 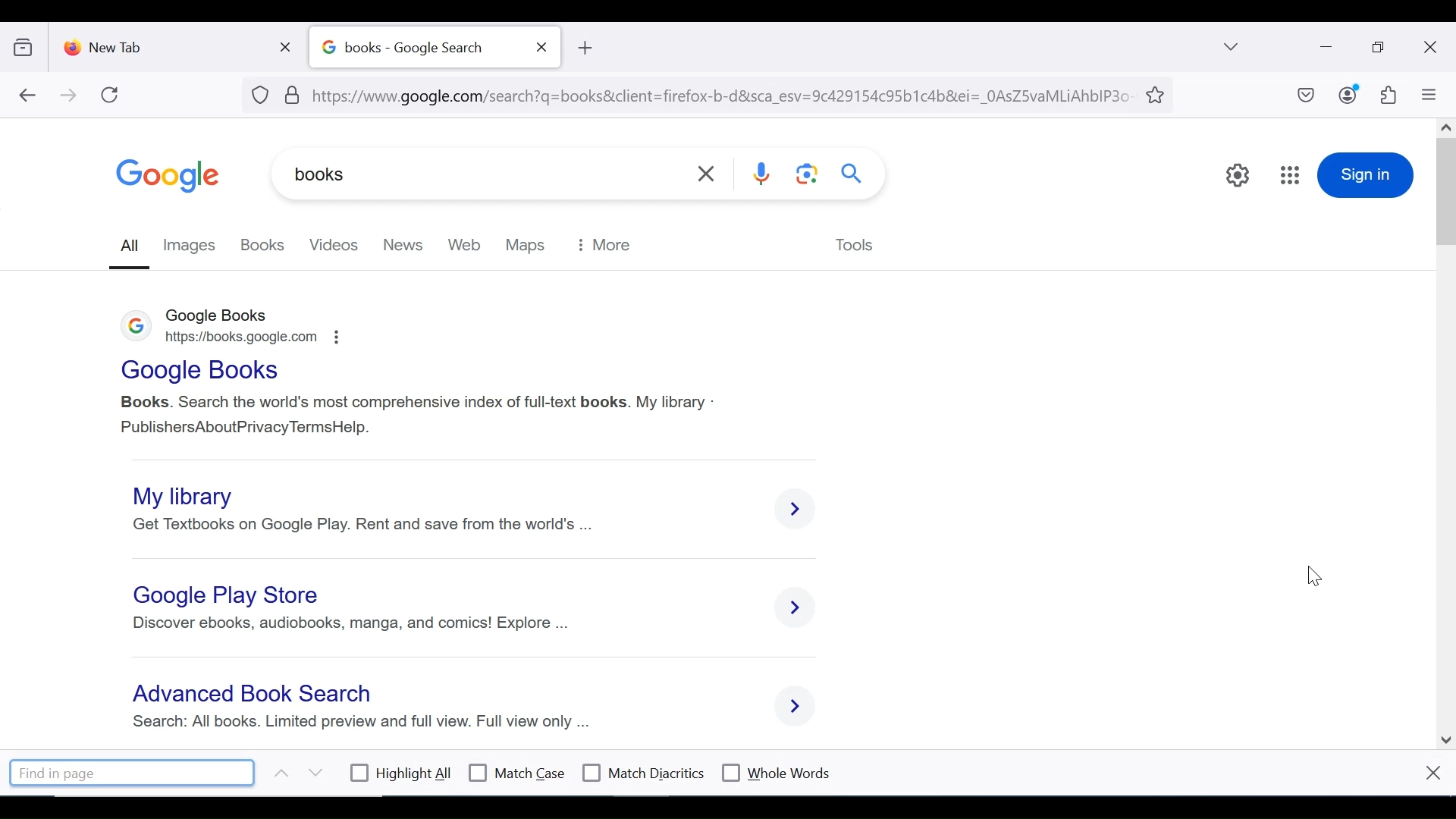 I want to click on close, so click(x=1432, y=772).